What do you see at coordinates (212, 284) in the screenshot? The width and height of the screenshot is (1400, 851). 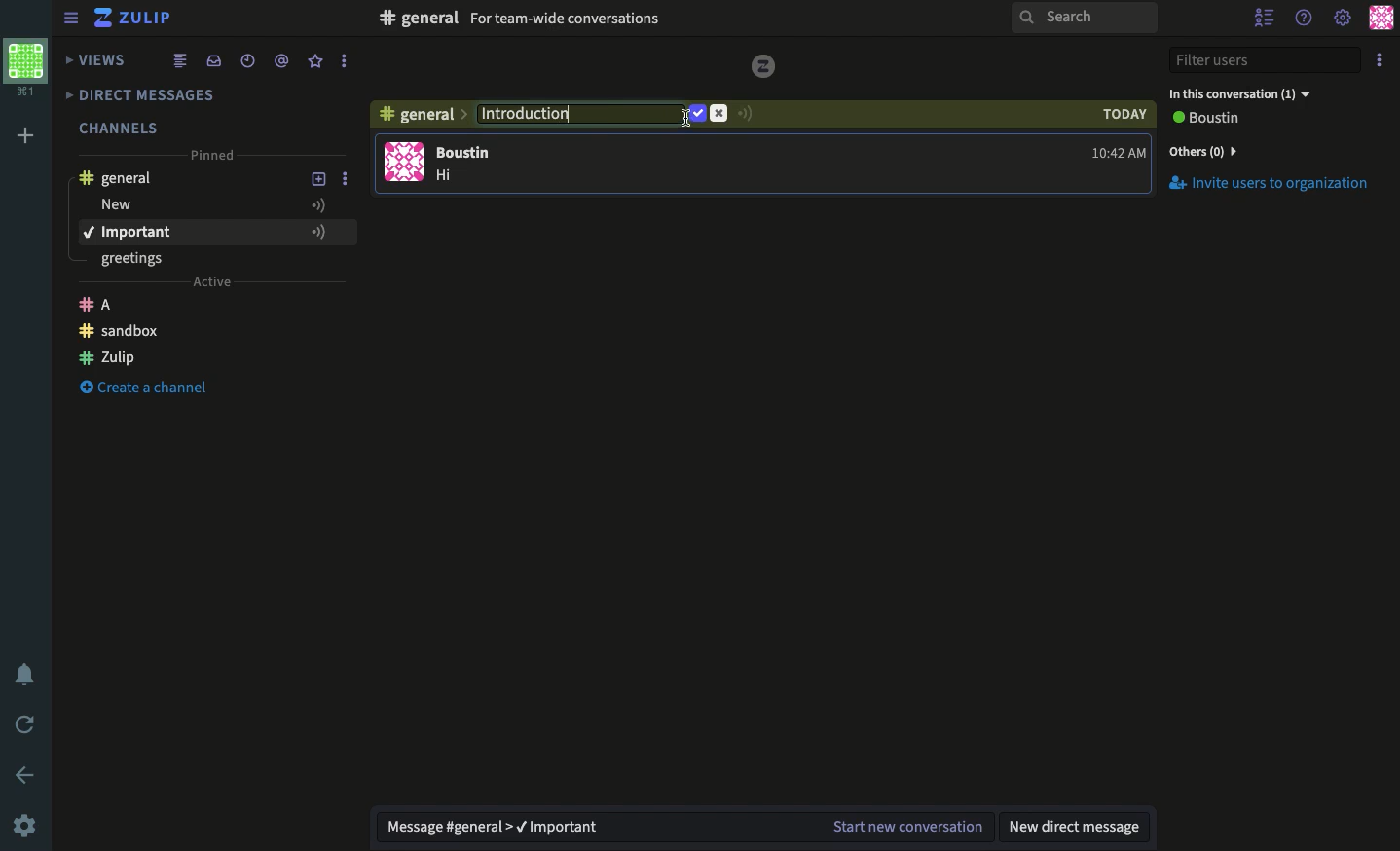 I see `Active` at bounding box center [212, 284].